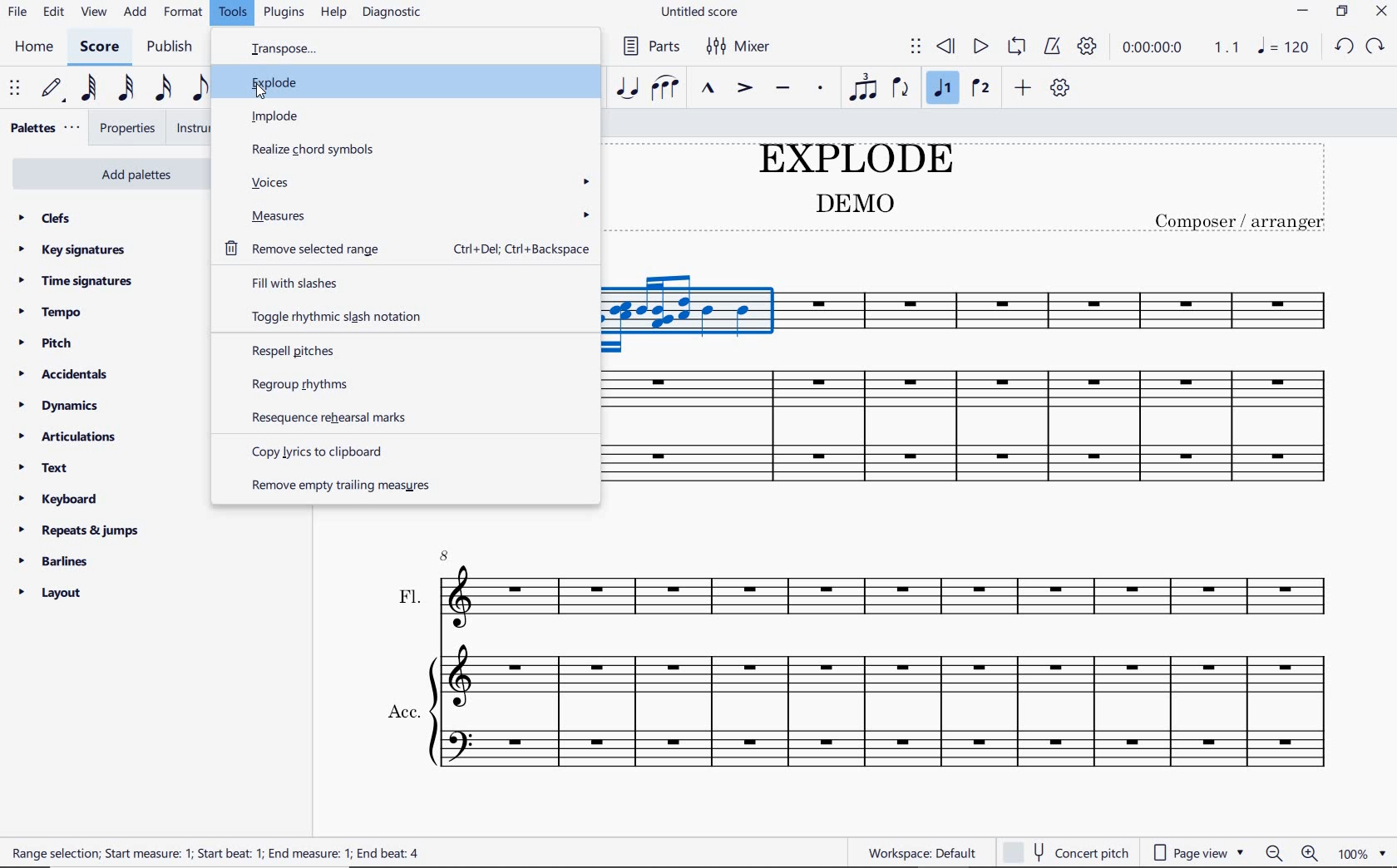 This screenshot has width=1397, height=868. Describe the element at coordinates (863, 590) in the screenshot. I see `FL` at that location.